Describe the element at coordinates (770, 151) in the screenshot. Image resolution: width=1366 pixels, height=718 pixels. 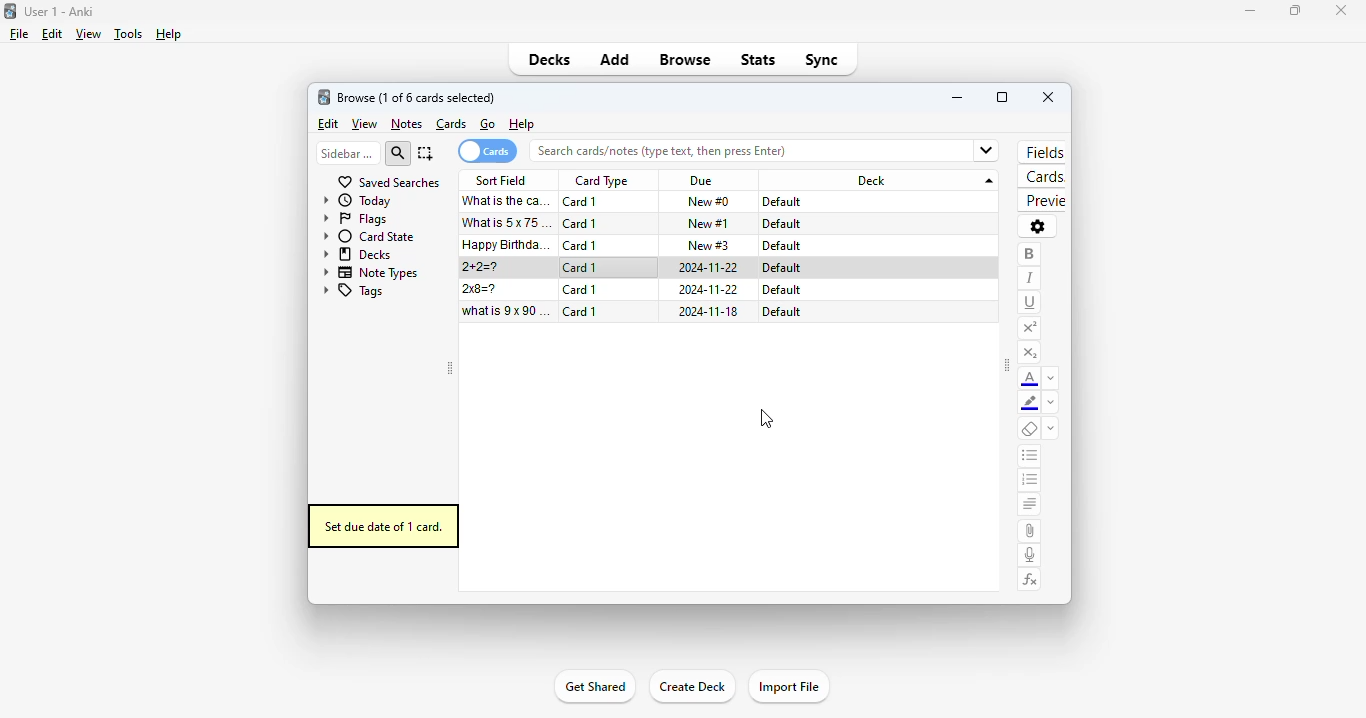
I see `Search cards/notes (type text, then press Enter)` at that location.